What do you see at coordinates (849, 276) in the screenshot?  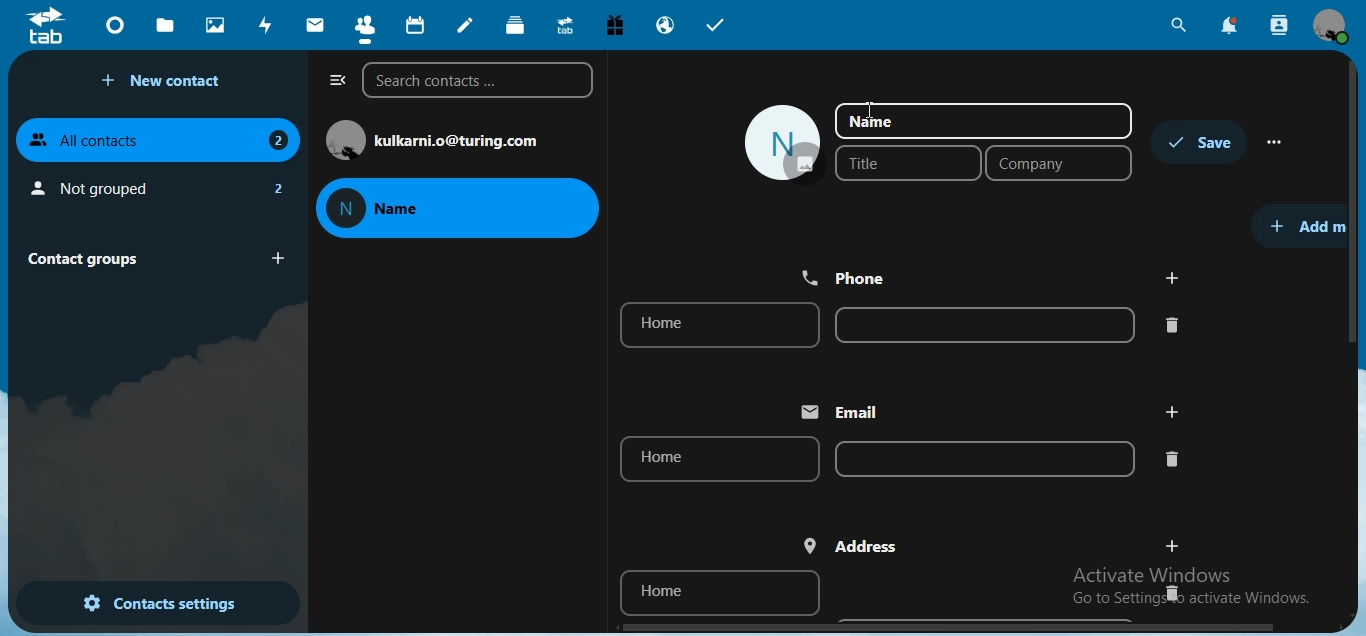 I see `phone` at bounding box center [849, 276].